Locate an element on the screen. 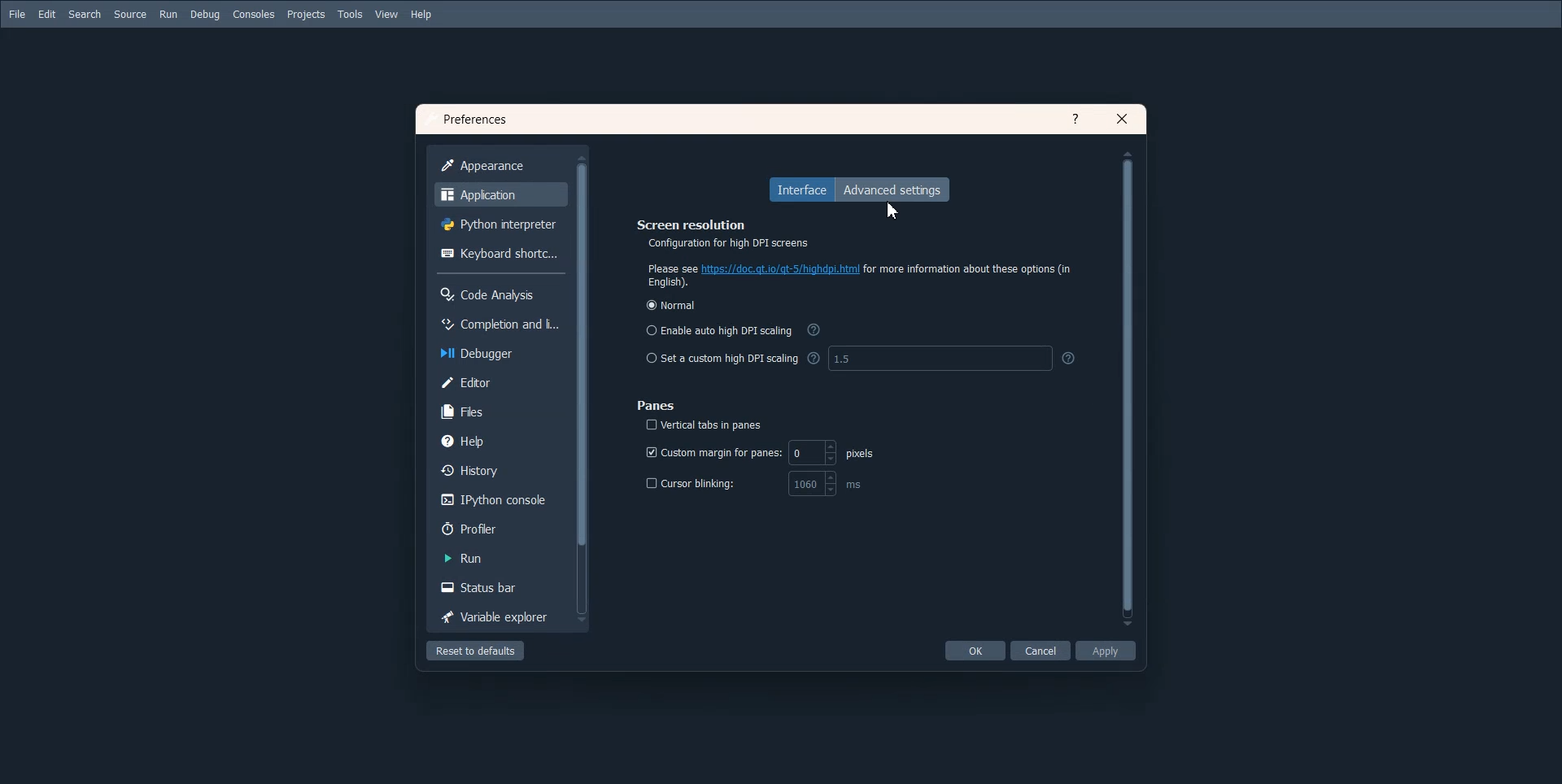  Completion and licenece is located at coordinates (498, 322).